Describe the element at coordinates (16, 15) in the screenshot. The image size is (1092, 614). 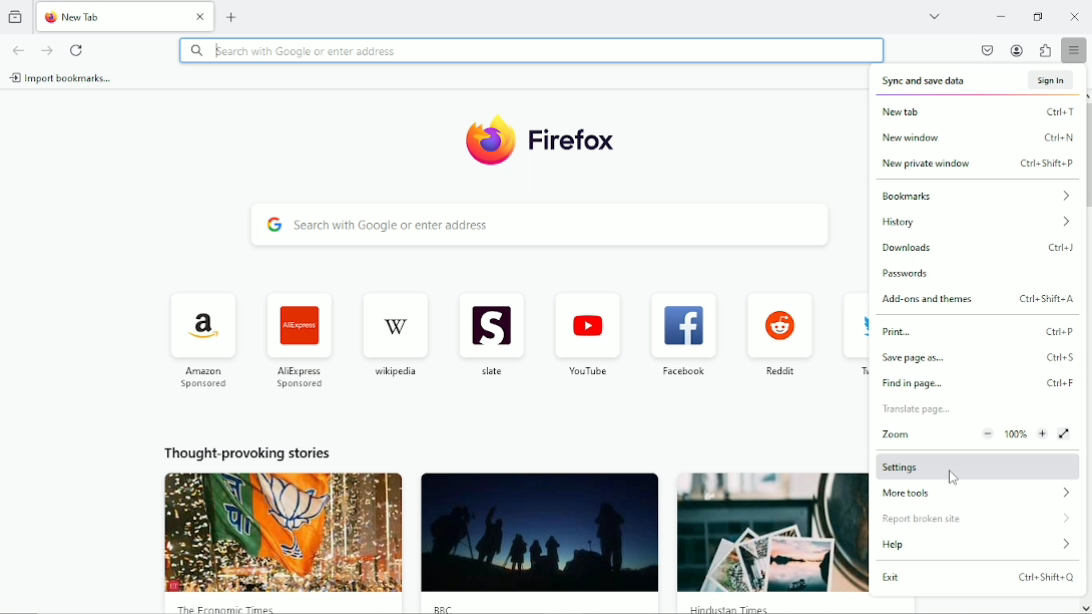
I see `view recent browsing` at that location.